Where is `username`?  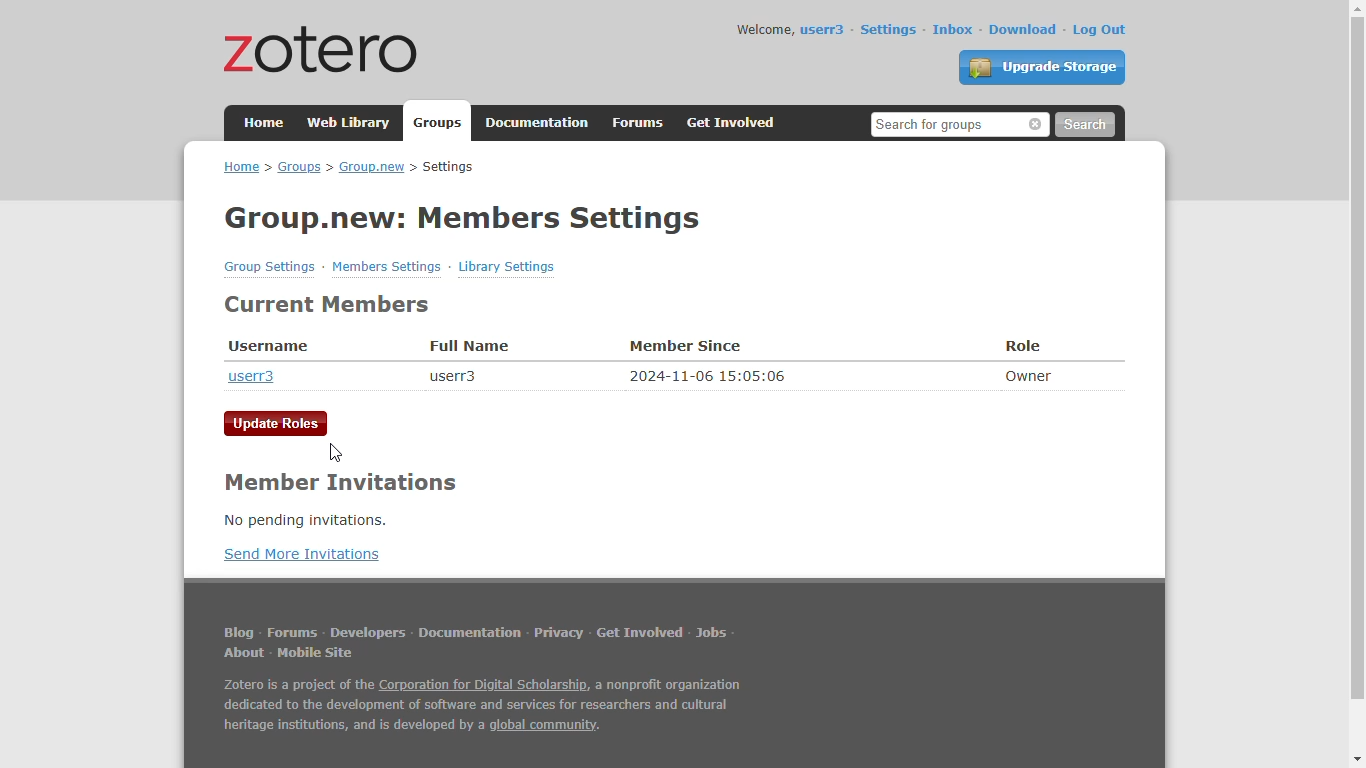 username is located at coordinates (269, 347).